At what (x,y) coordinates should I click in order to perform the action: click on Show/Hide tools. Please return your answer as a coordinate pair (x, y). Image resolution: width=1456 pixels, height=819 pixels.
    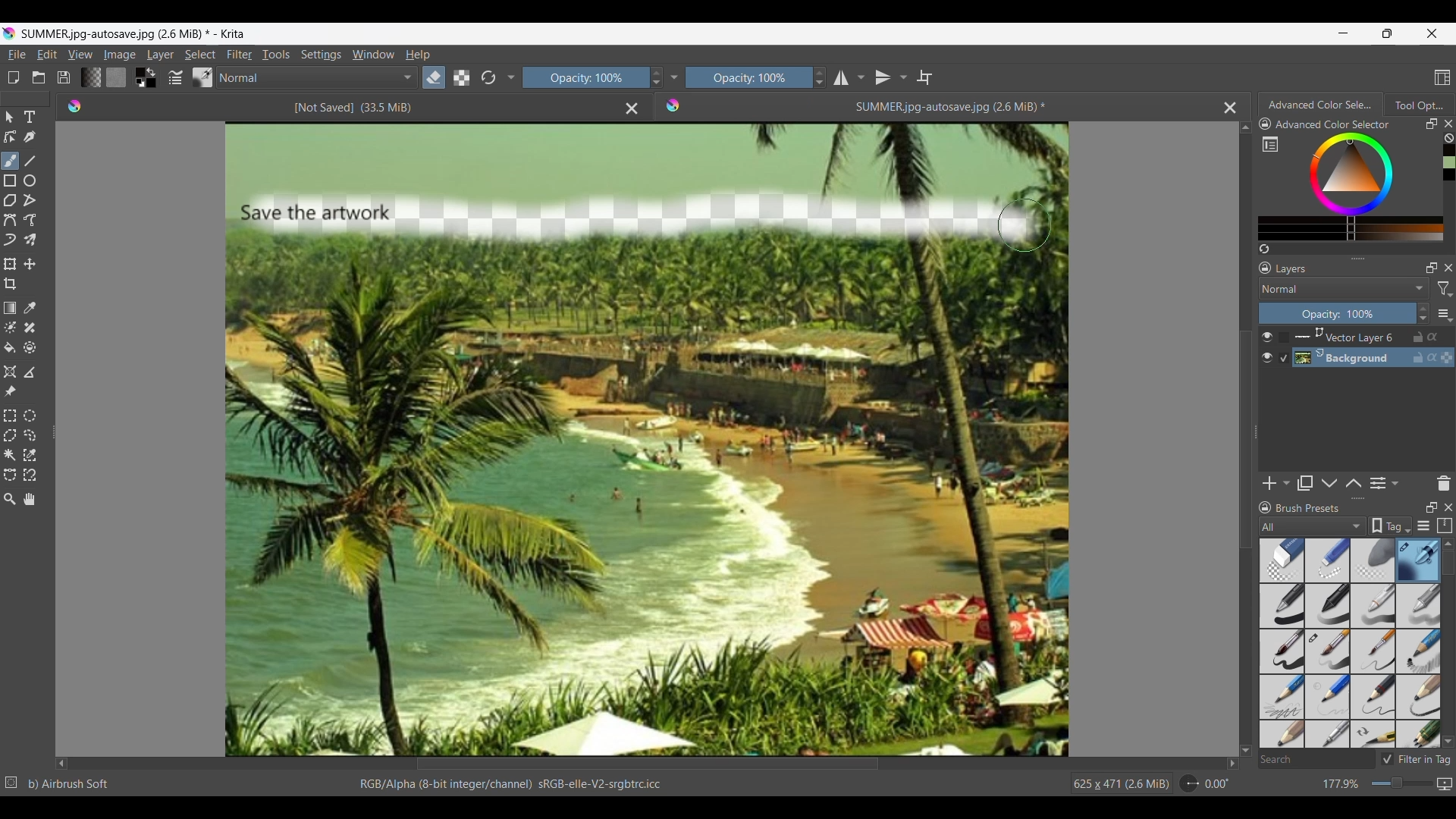
    Looking at the image, I should click on (674, 77).